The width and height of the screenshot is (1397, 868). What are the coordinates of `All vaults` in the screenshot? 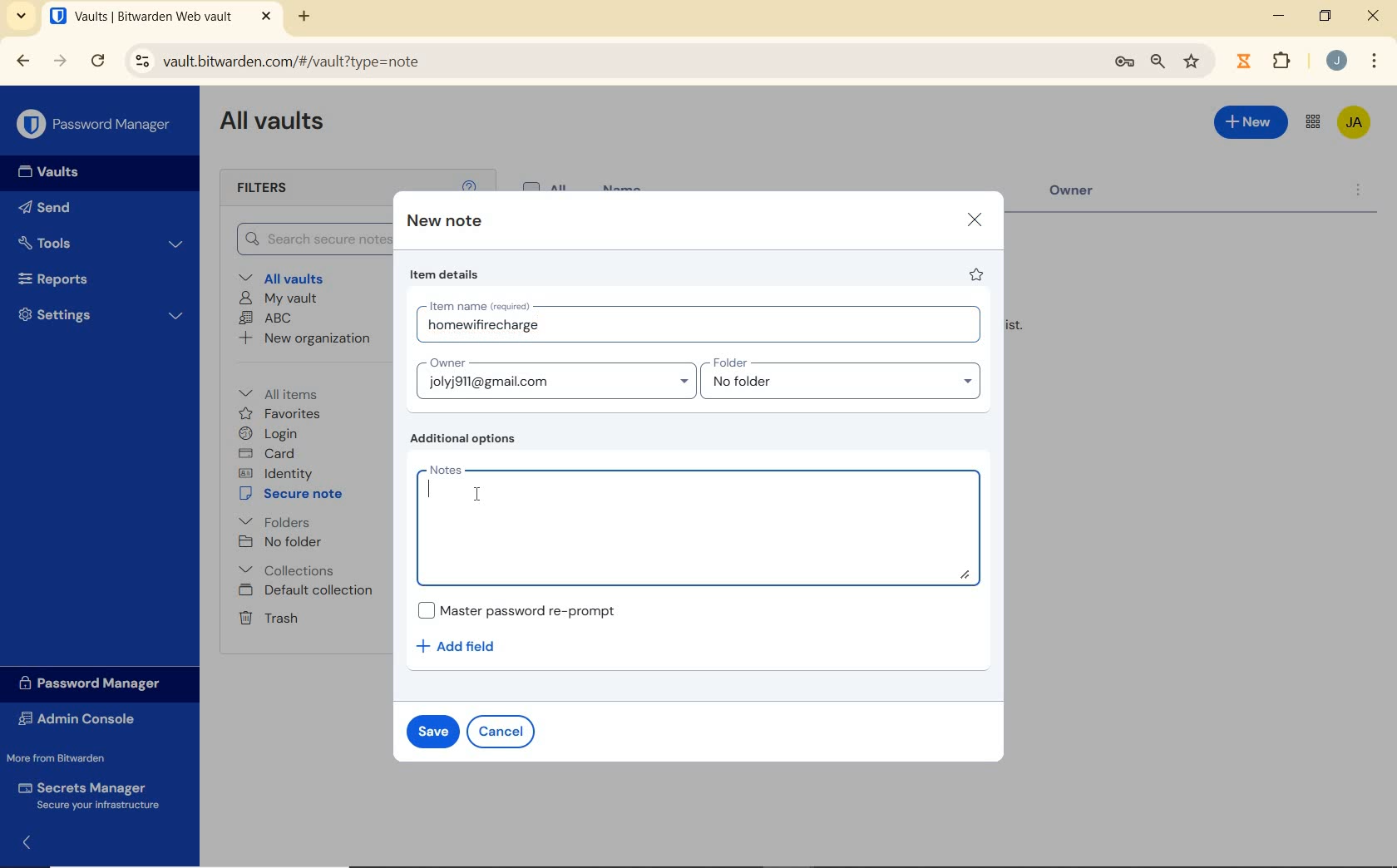 It's located at (284, 277).